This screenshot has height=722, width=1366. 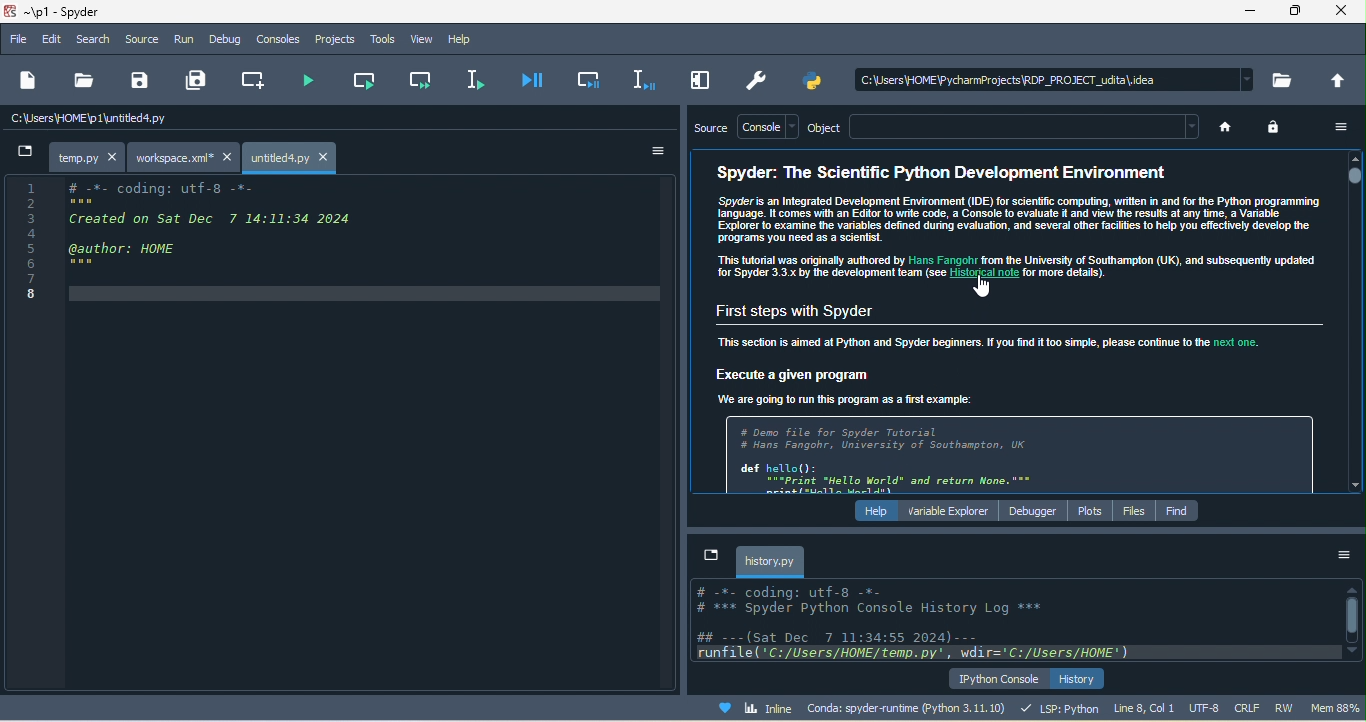 What do you see at coordinates (332, 245) in the screenshot?
I see `coding` at bounding box center [332, 245].